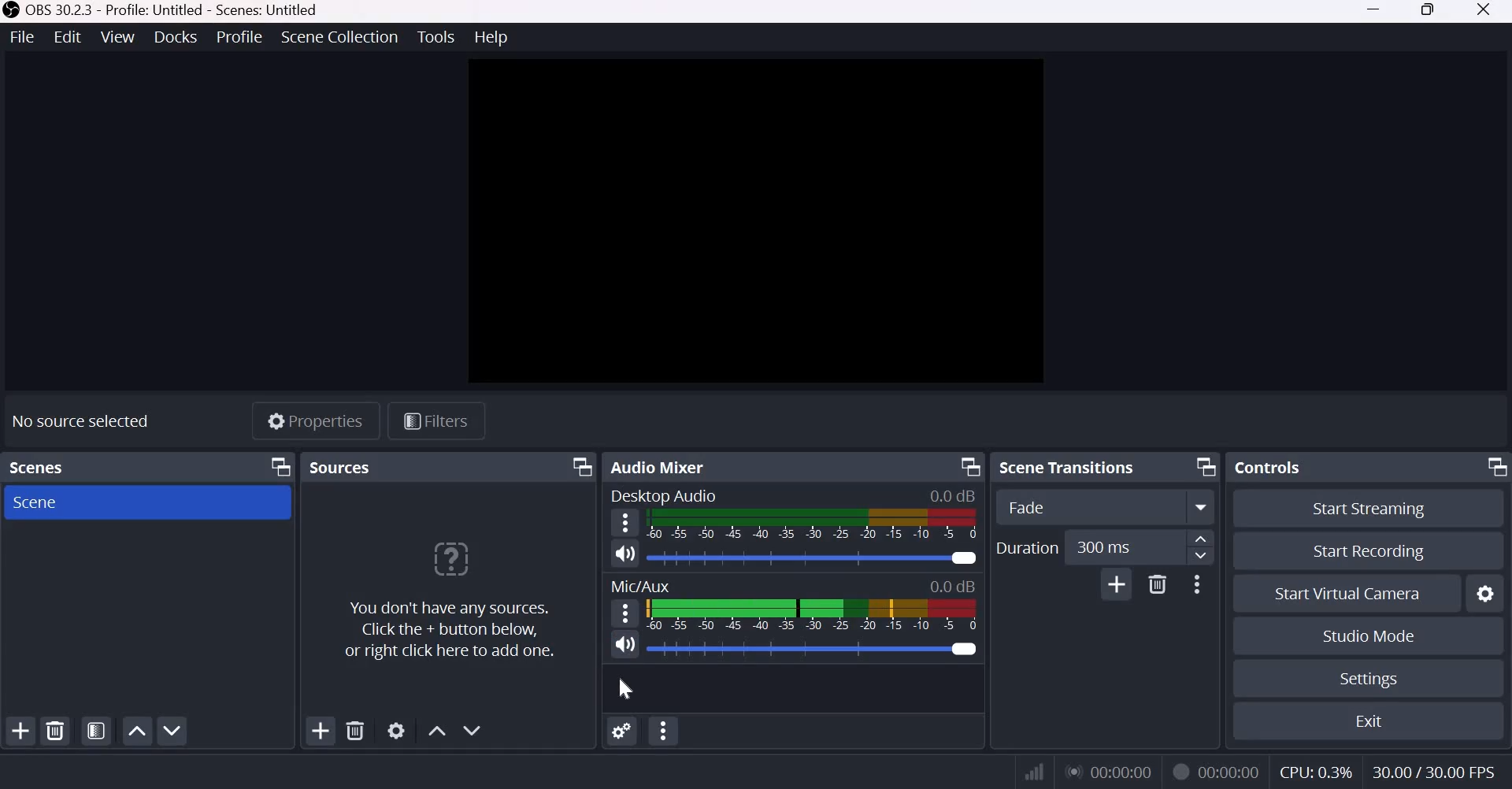  Describe the element at coordinates (1203, 558) in the screenshot. I see `Decrease` at that location.